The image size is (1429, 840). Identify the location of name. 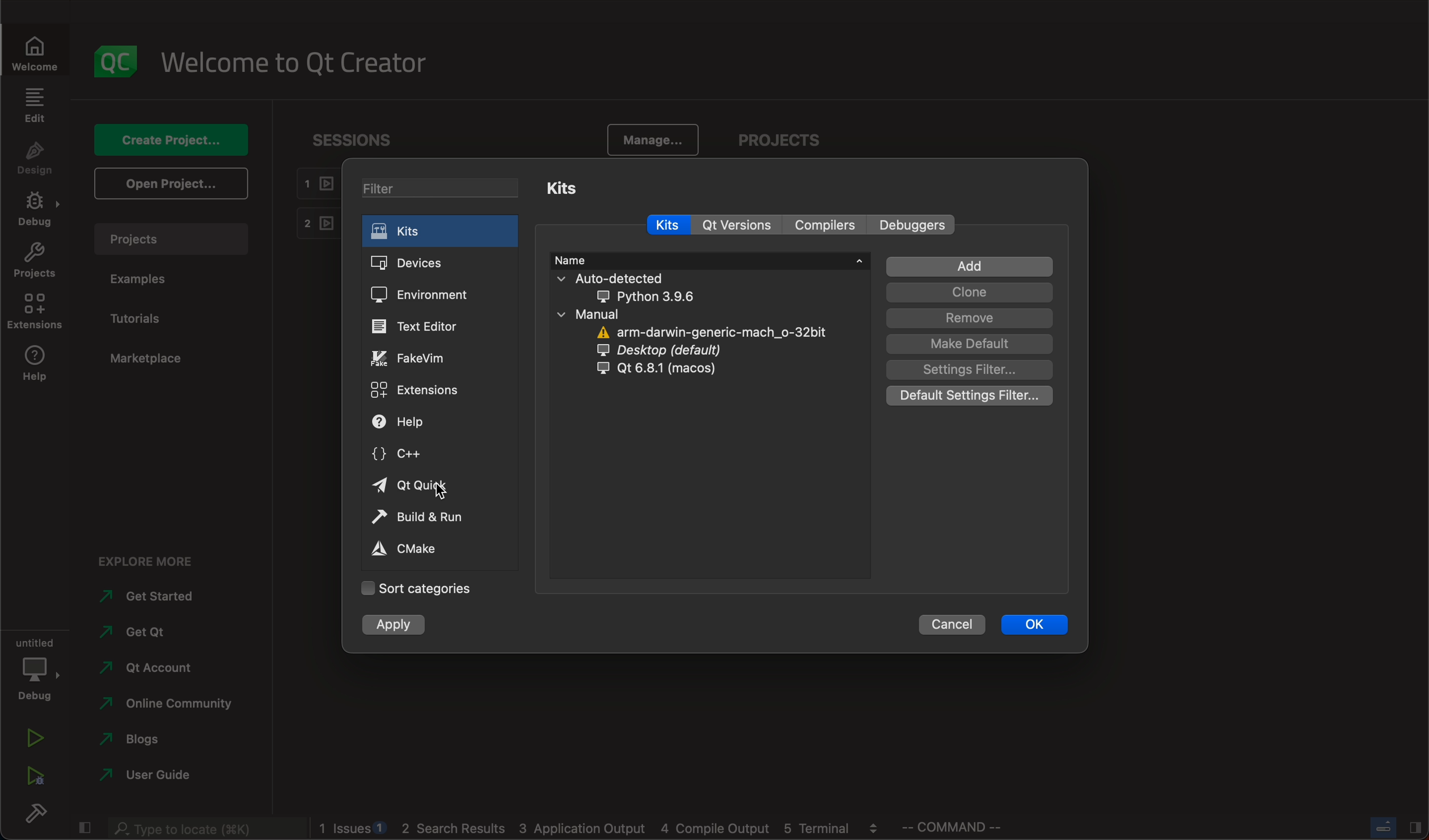
(708, 260).